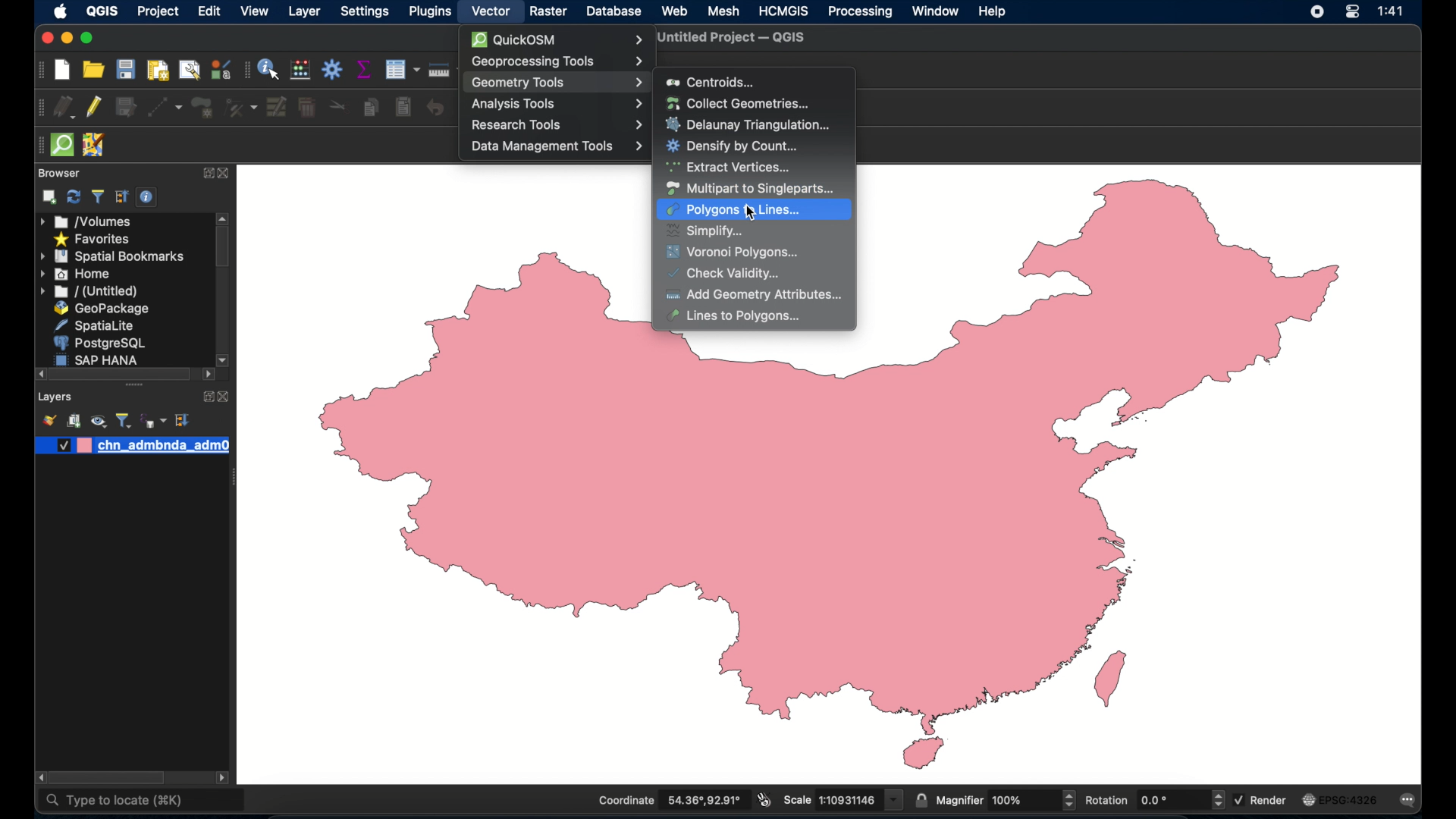 This screenshot has width=1456, height=819. I want to click on undo, so click(435, 108).